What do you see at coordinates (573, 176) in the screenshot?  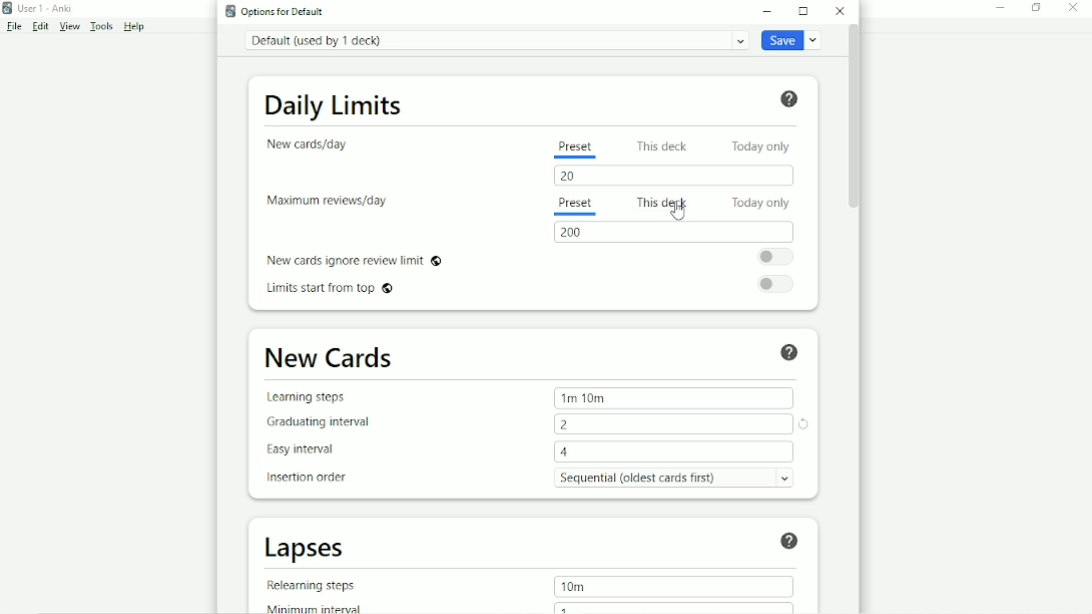 I see `20` at bounding box center [573, 176].